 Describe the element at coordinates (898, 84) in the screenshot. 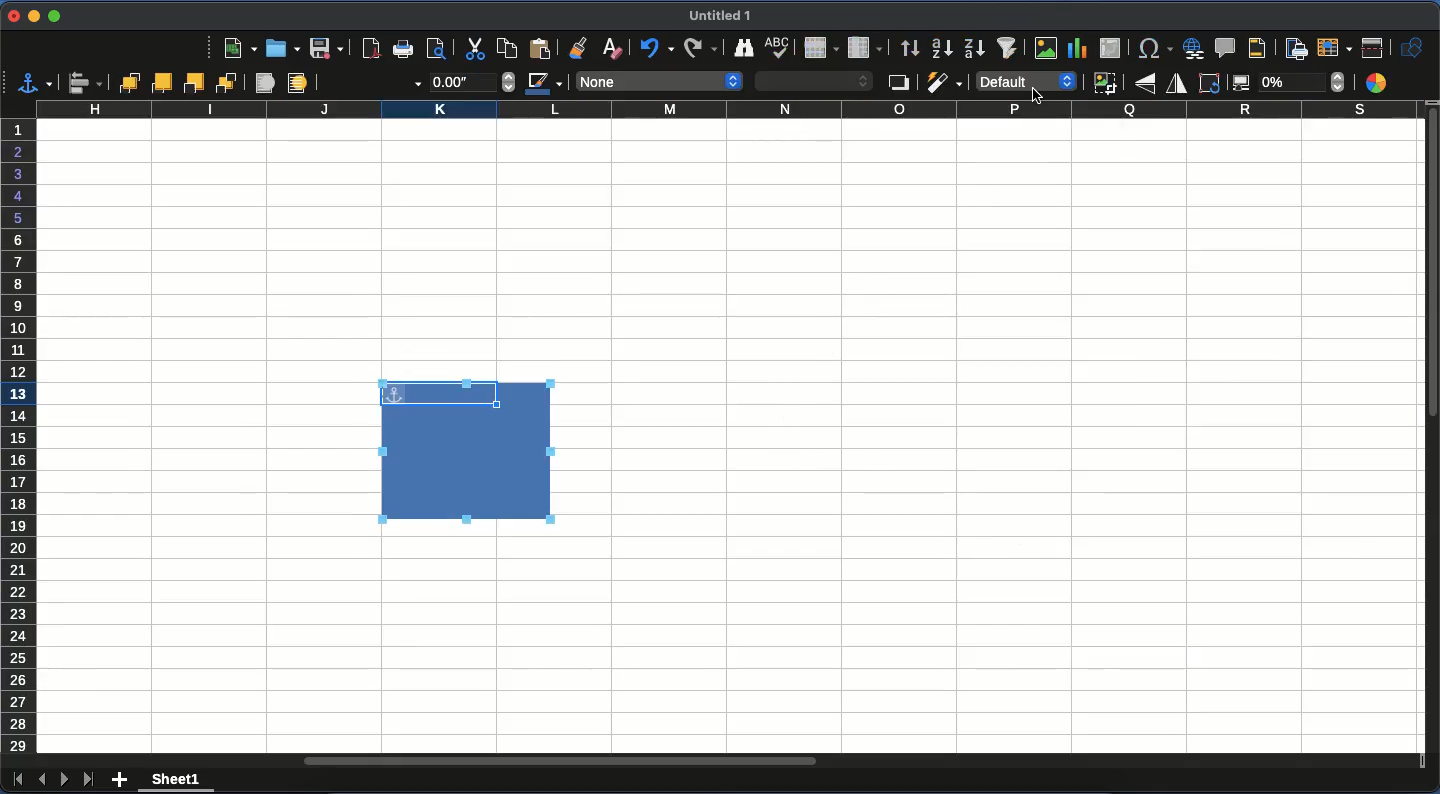

I see `shadow` at that location.